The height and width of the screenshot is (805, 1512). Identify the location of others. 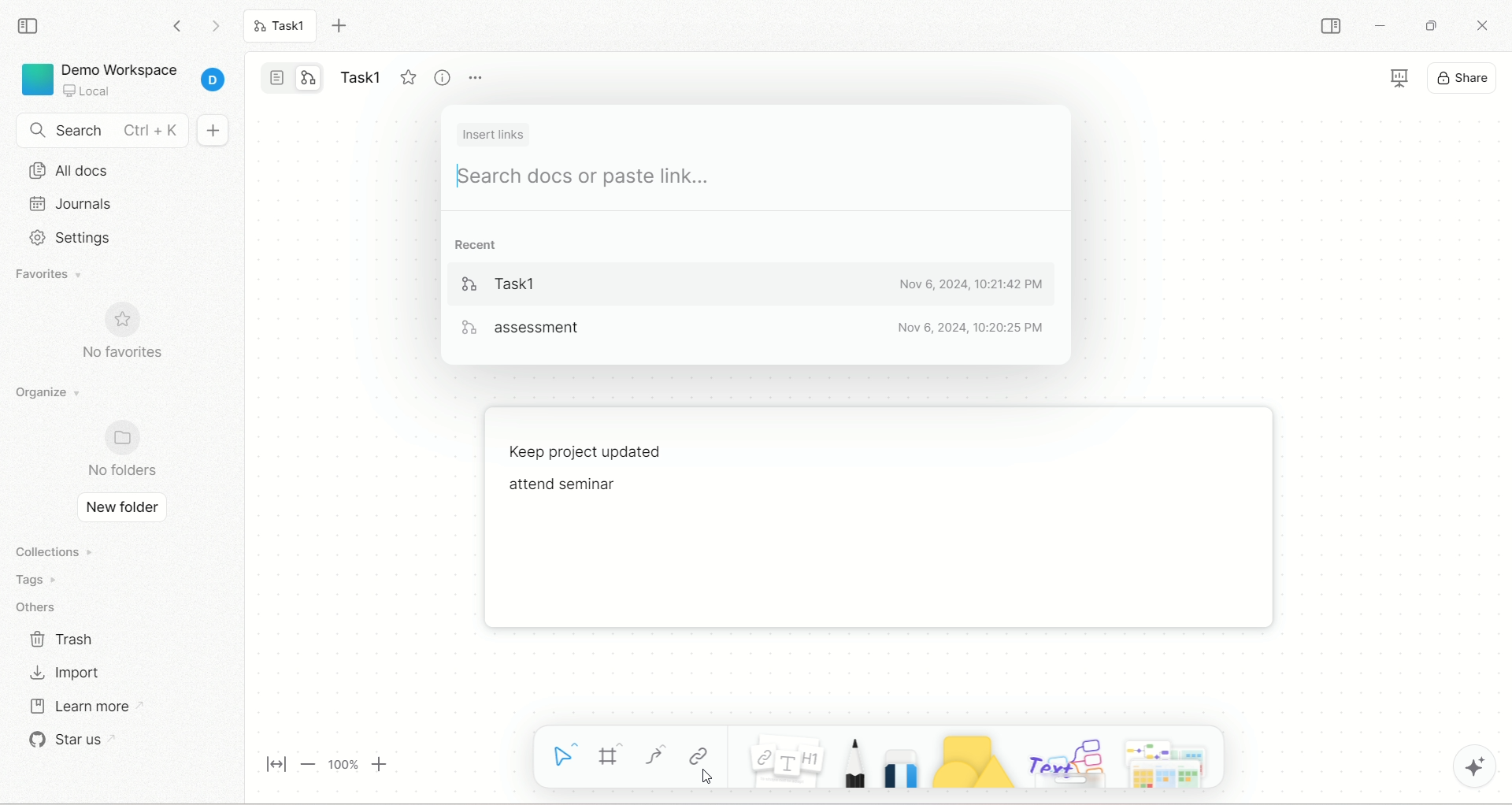
(42, 604).